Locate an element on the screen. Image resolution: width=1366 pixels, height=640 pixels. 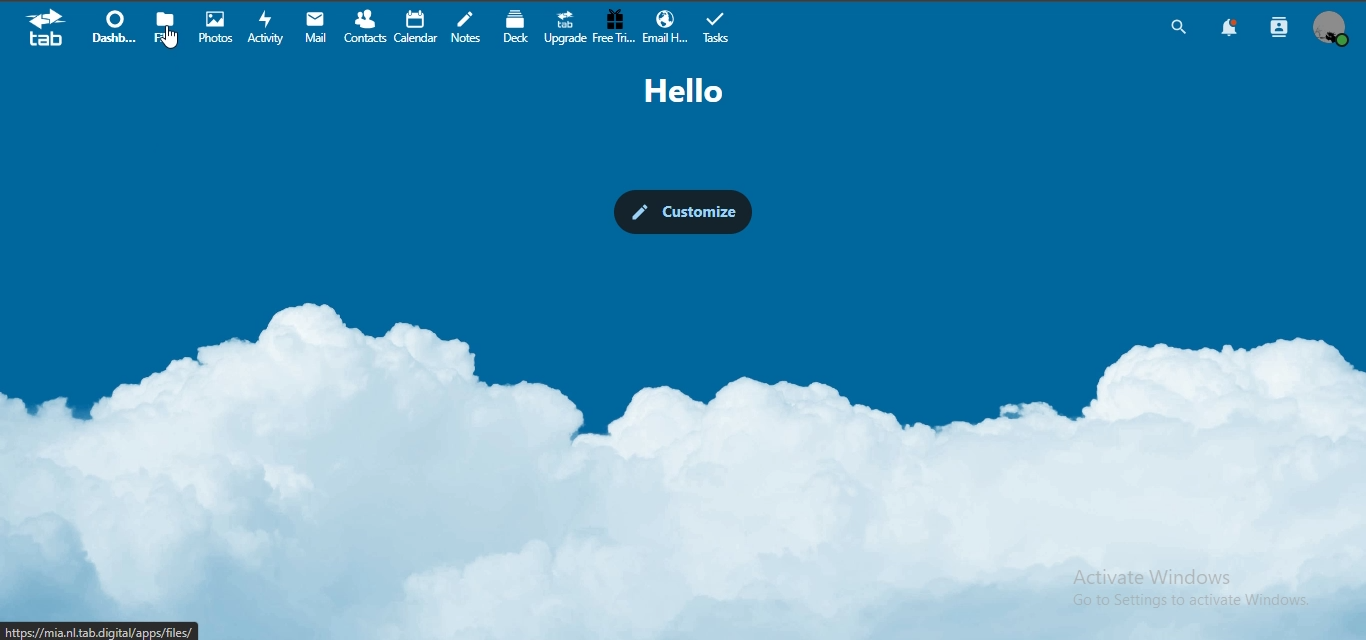
notes is located at coordinates (469, 28).